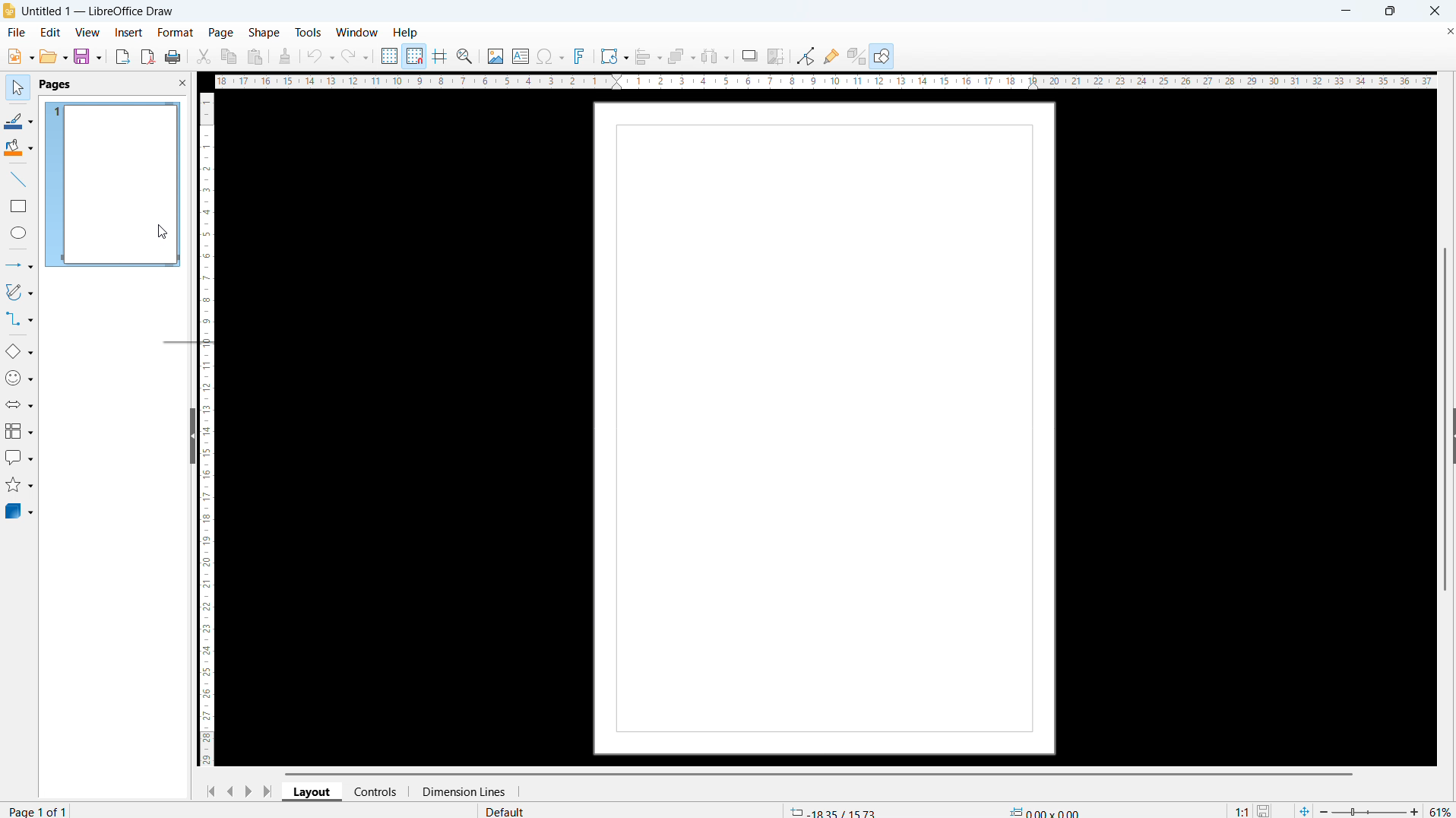  Describe the element at coordinates (307, 32) in the screenshot. I see `tools` at that location.